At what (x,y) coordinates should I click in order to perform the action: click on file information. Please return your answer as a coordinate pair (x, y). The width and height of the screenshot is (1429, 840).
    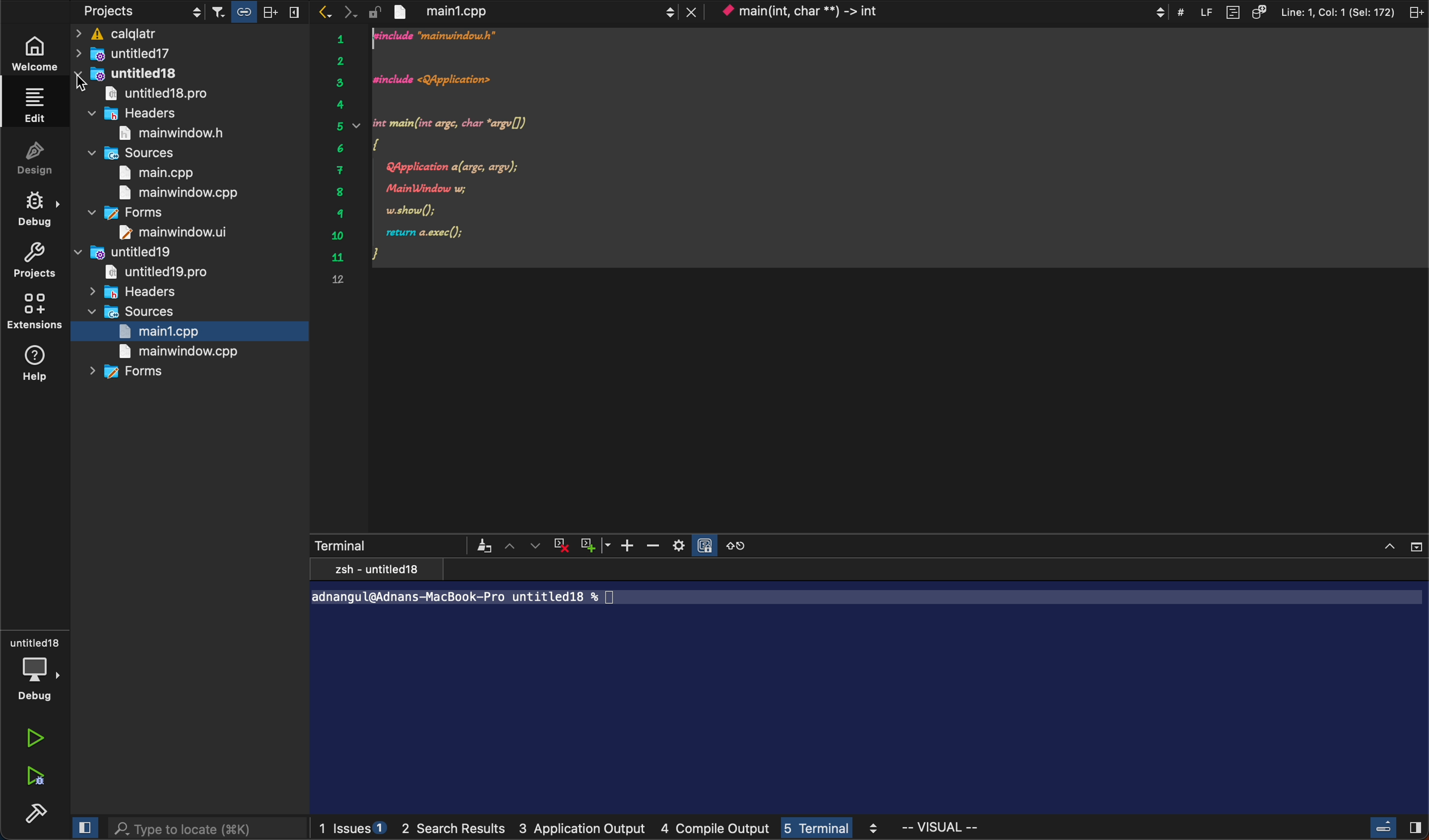
    Looking at the image, I should click on (1287, 12).